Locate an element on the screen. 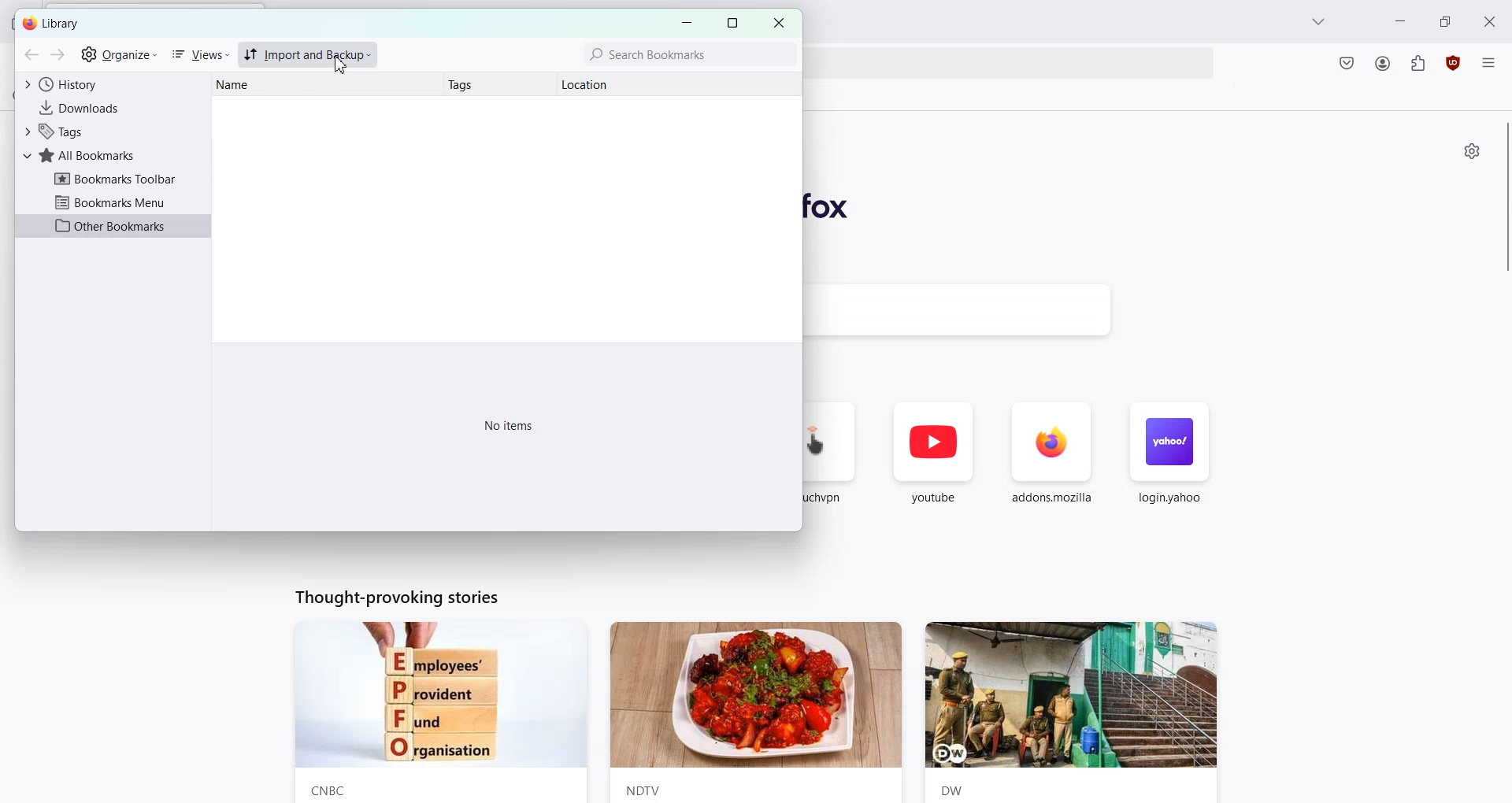 The width and height of the screenshot is (1512, 803). Close is located at coordinates (778, 23).